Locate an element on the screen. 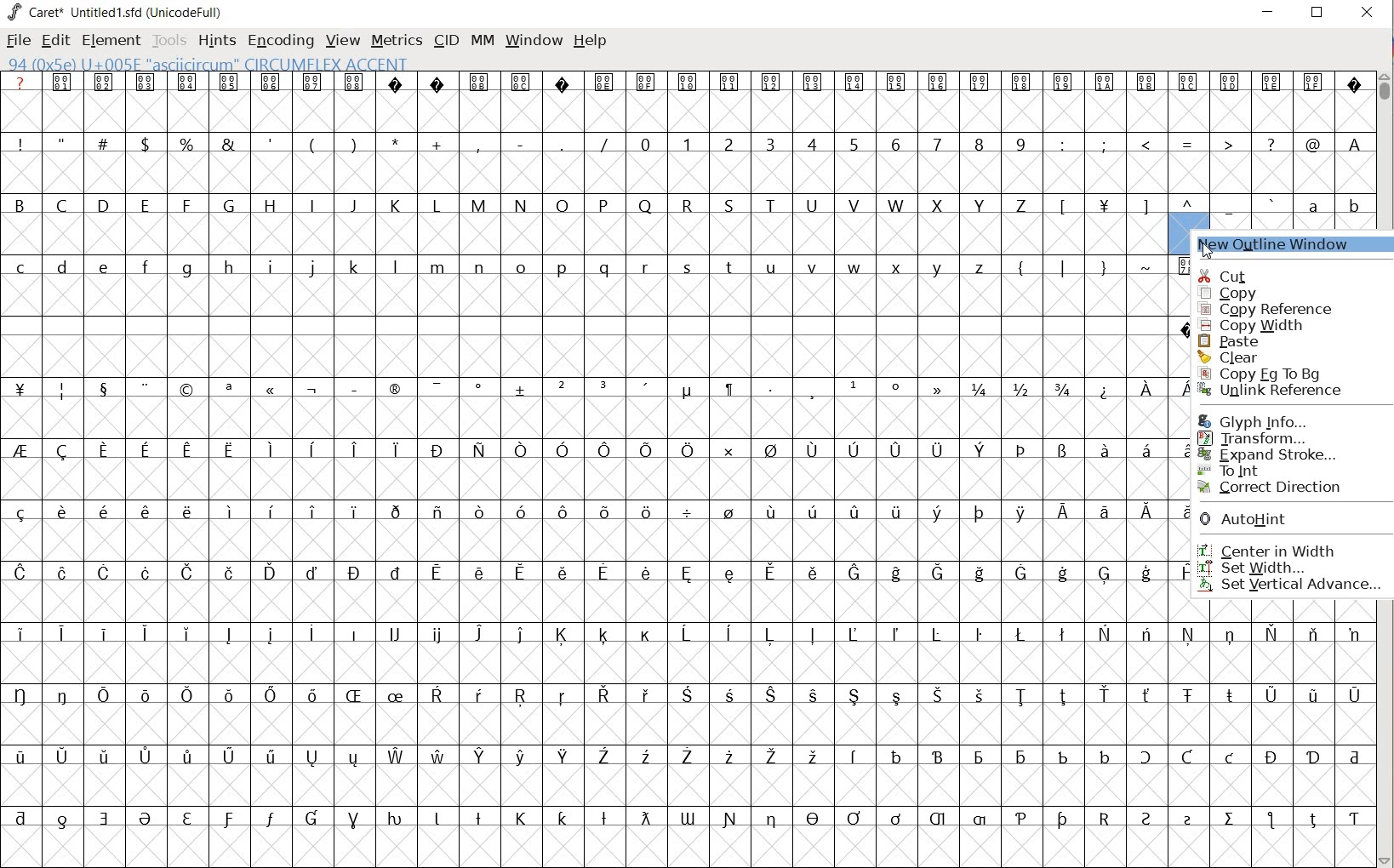 Image resolution: width=1394 pixels, height=868 pixels. HELP is located at coordinates (591, 40).